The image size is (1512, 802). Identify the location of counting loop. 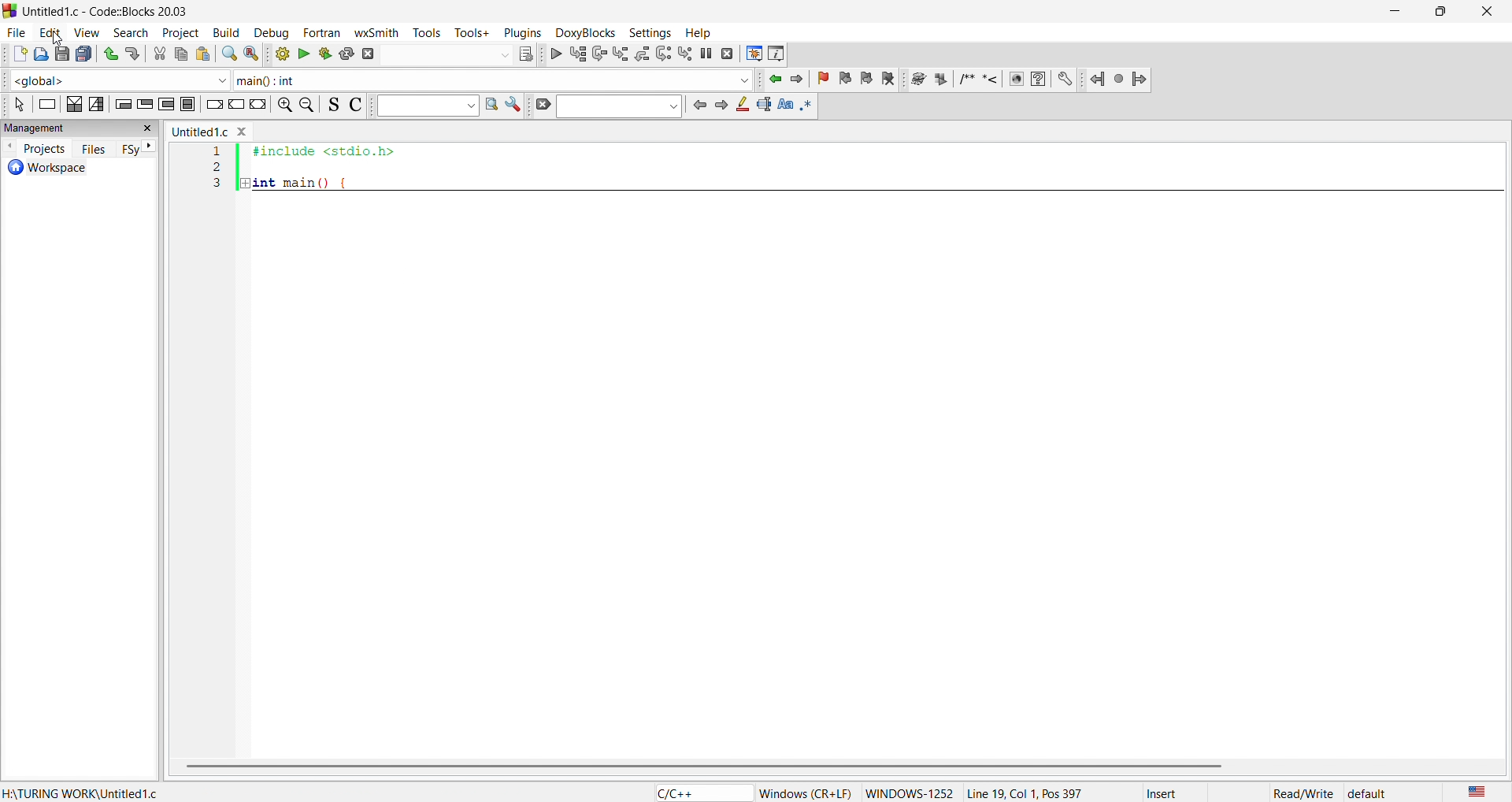
(165, 102).